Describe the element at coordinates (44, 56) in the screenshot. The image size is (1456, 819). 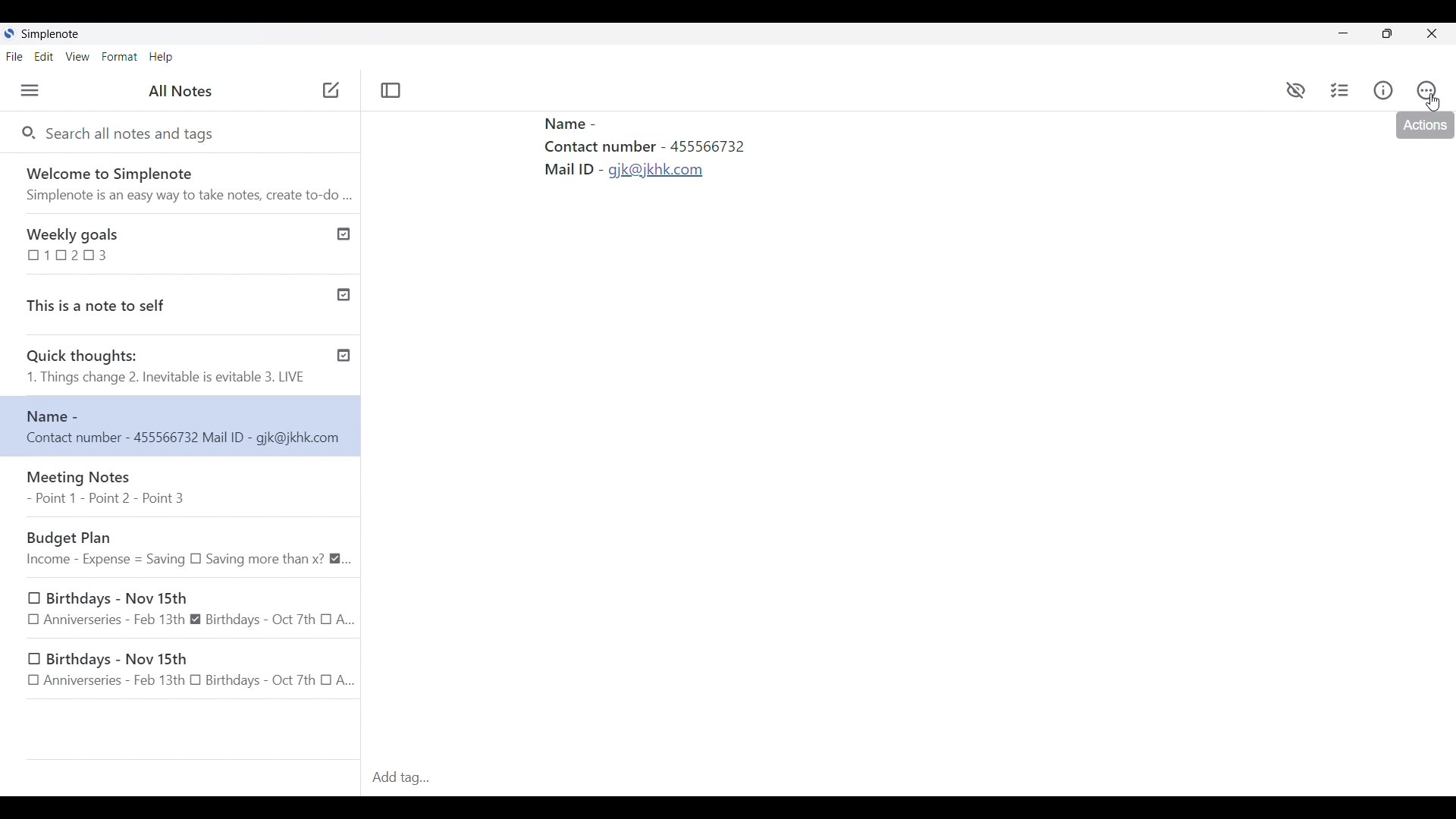
I see `Edit menu` at that location.